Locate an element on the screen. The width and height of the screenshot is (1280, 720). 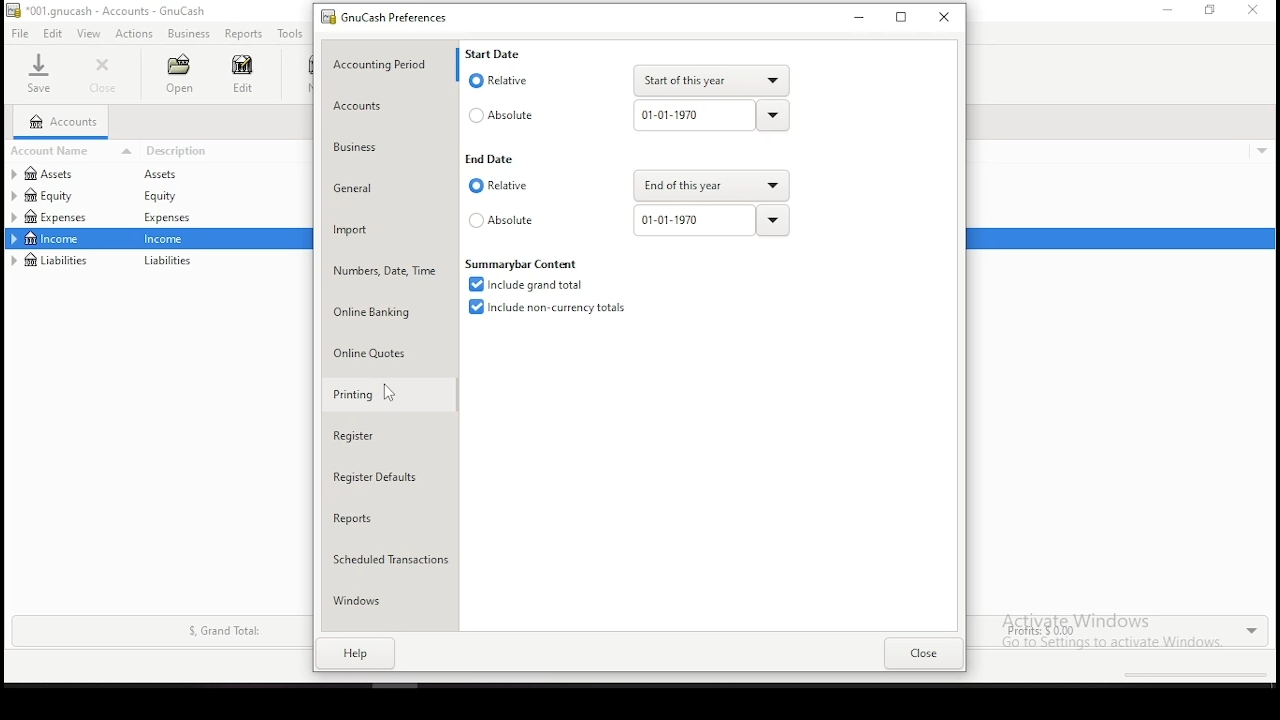
edits is located at coordinates (54, 33).